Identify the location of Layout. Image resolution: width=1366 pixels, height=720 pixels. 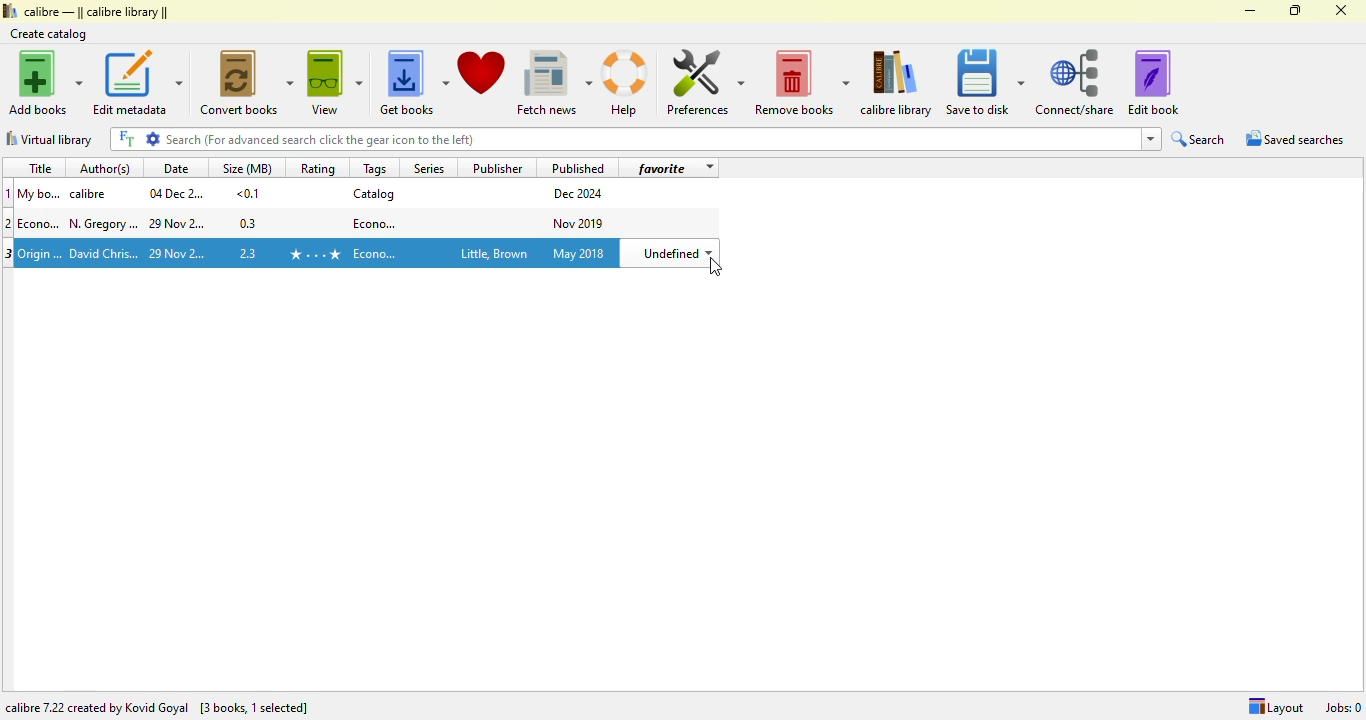
(1275, 707).